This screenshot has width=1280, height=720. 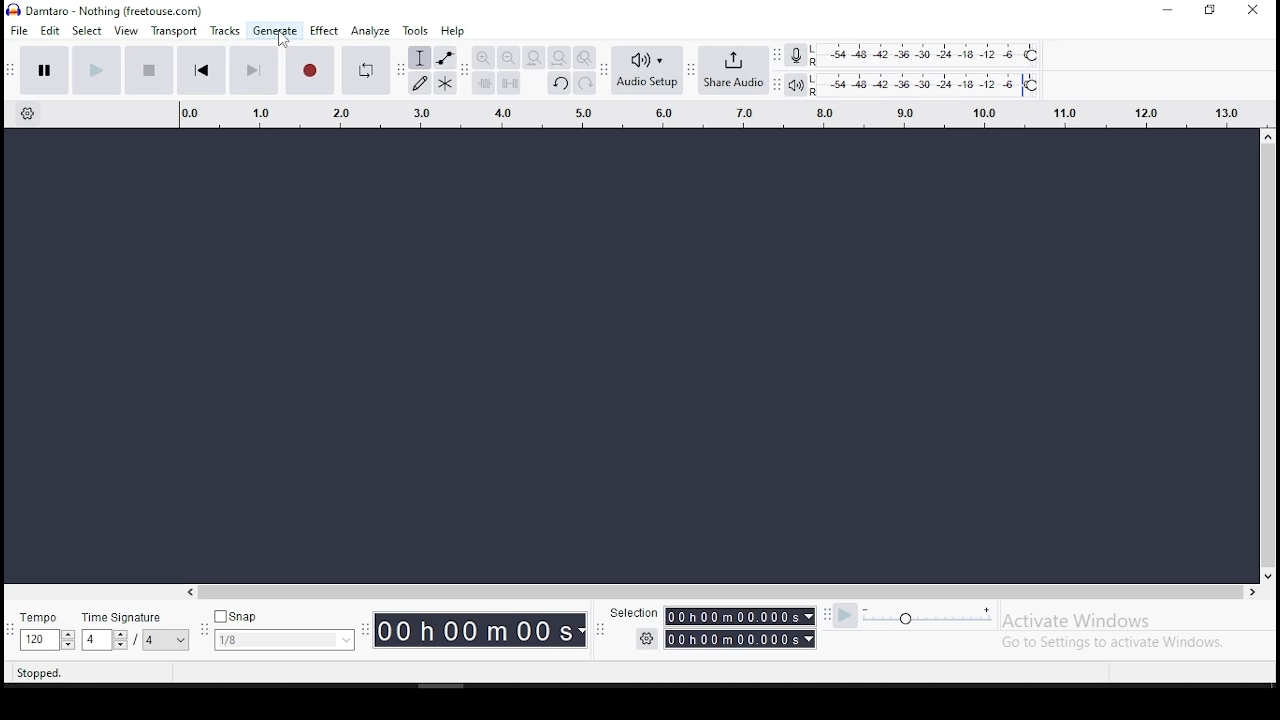 What do you see at coordinates (446, 83) in the screenshot?
I see `multi tool` at bounding box center [446, 83].